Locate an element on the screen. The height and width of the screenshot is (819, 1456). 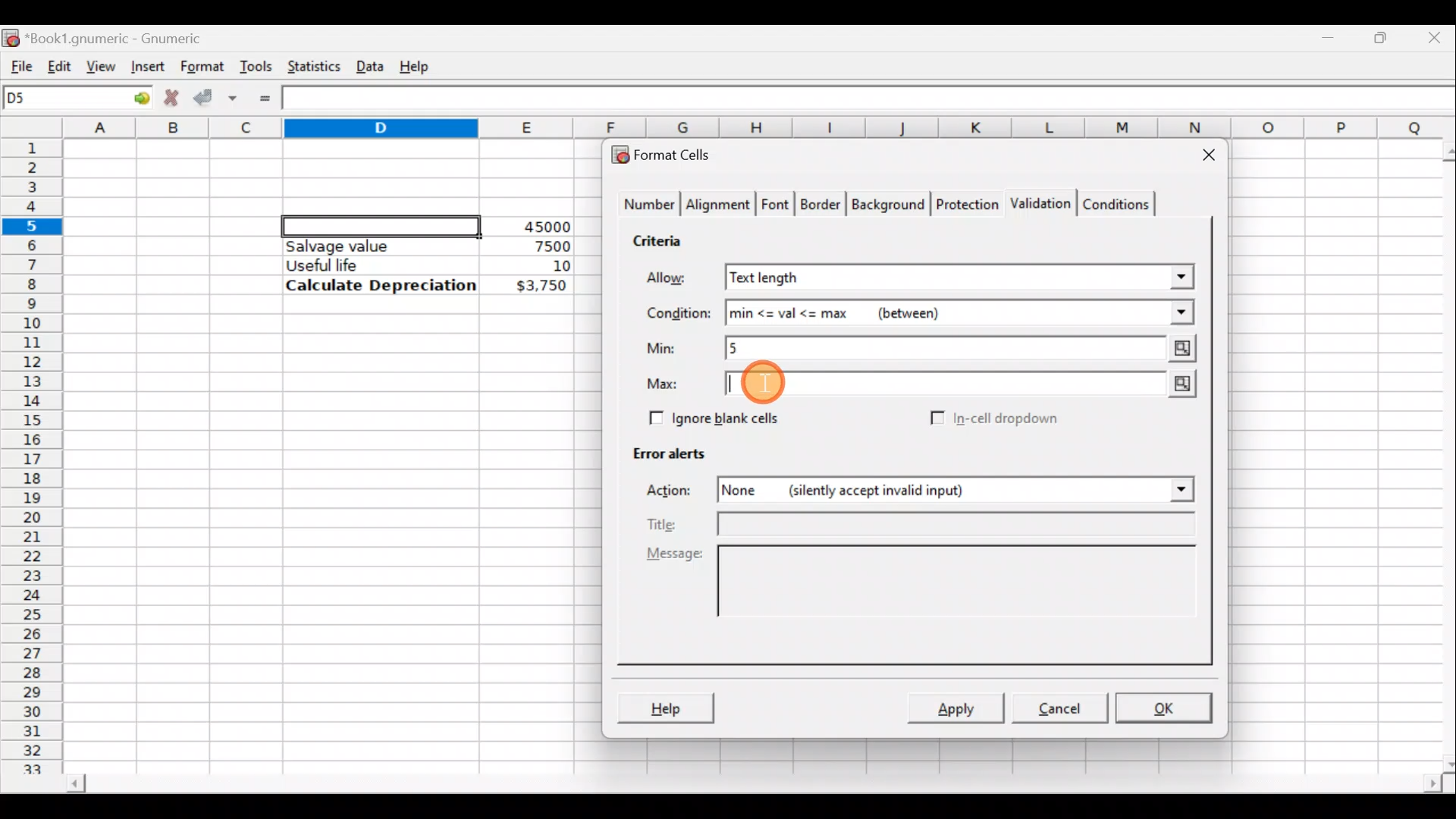
Selected cell is located at coordinates (381, 224).